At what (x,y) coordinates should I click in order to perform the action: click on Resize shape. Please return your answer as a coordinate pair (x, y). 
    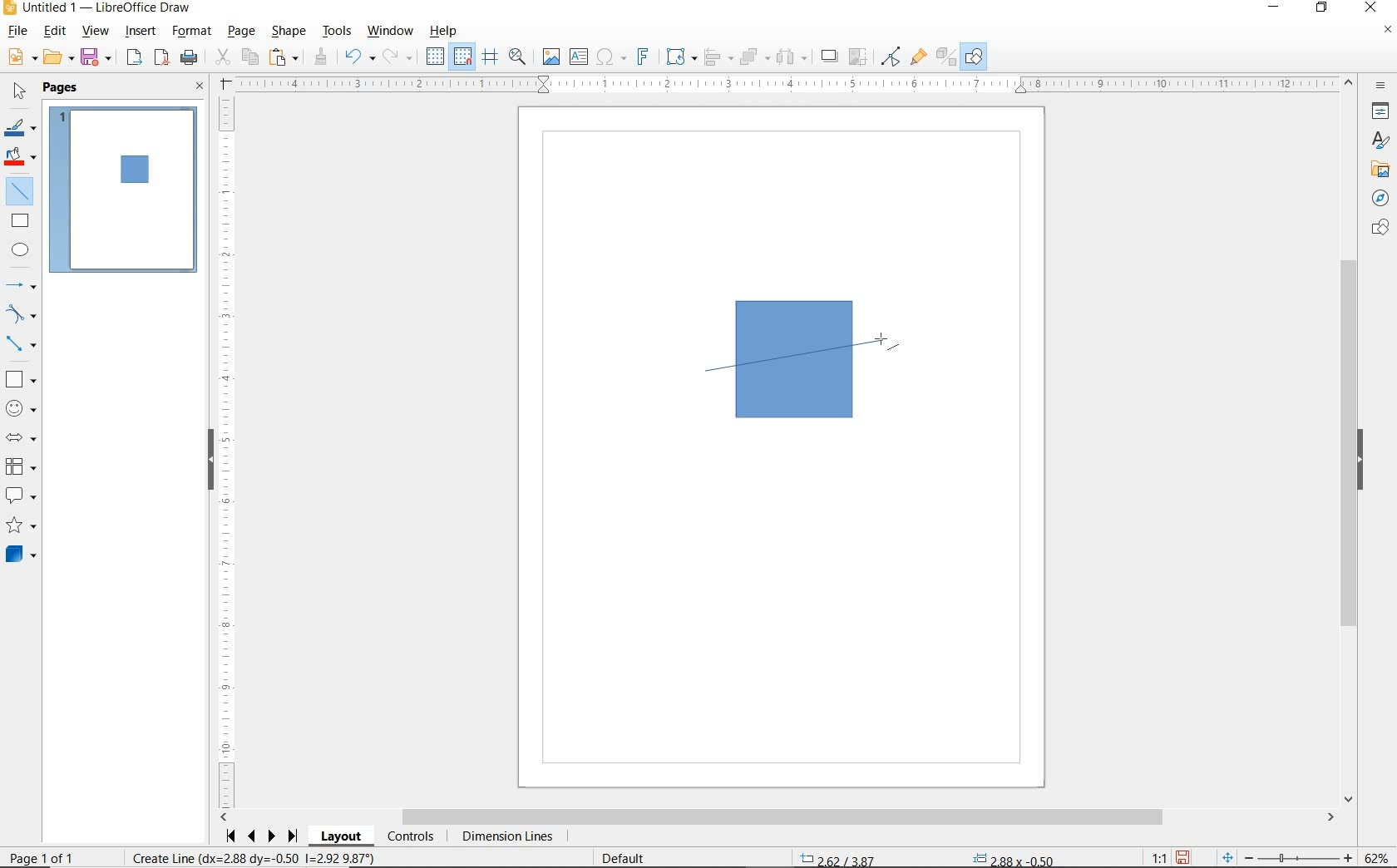
    Looking at the image, I should click on (256, 857).